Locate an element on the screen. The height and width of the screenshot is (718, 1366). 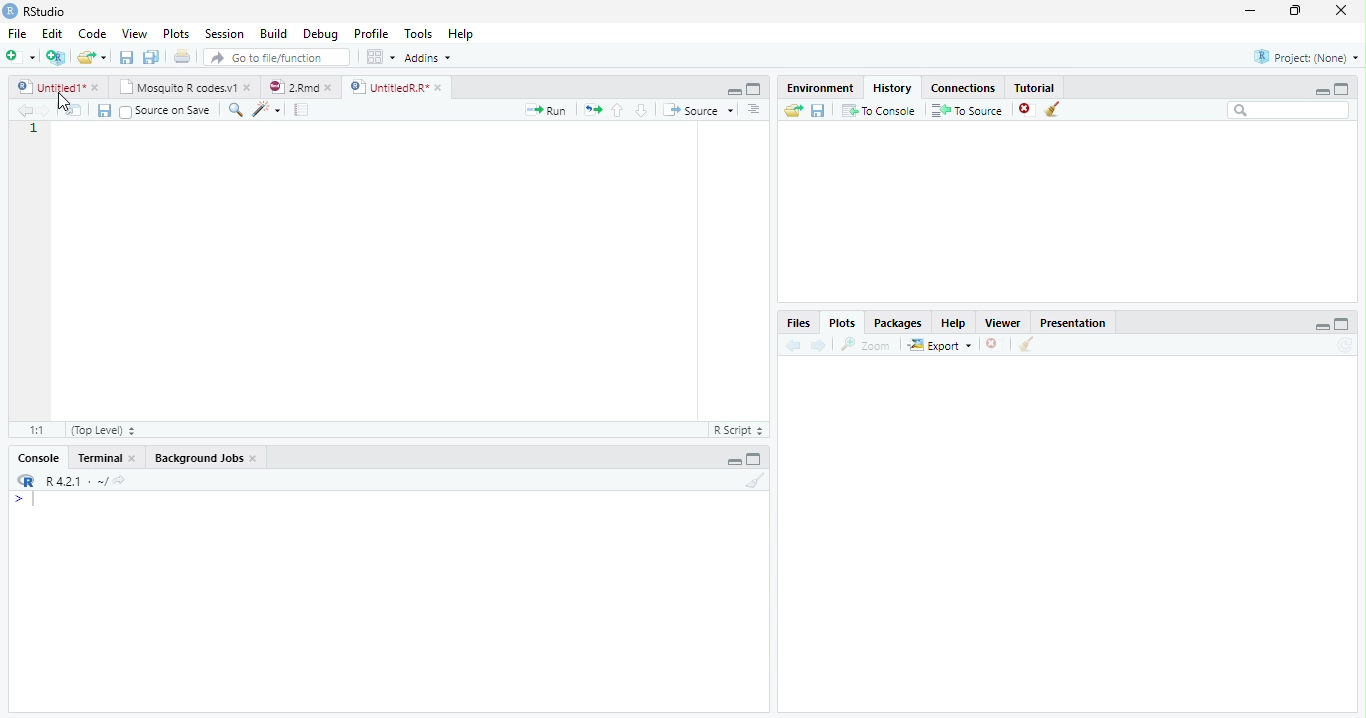
Zoom is located at coordinates (866, 345).